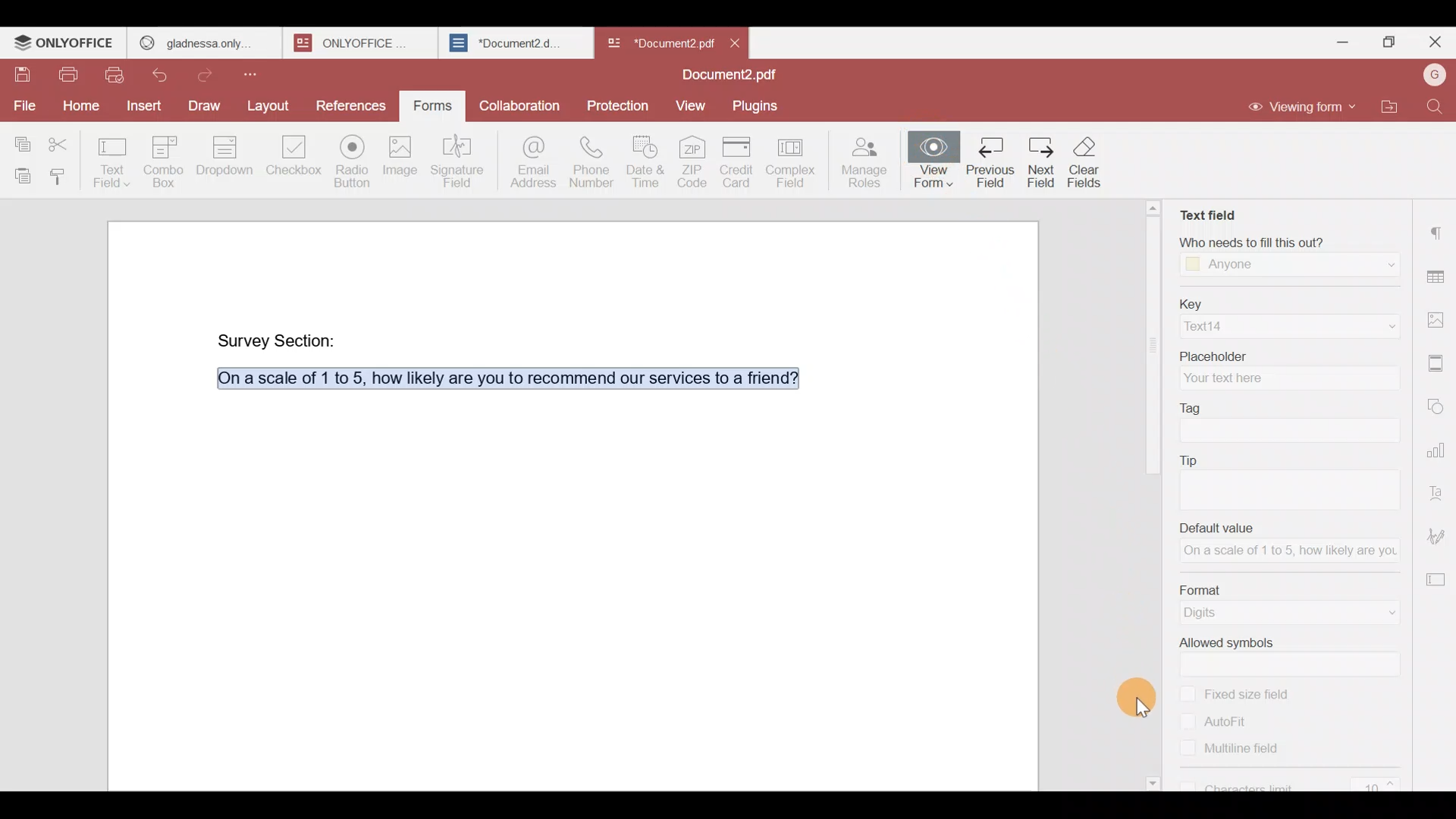 The width and height of the screenshot is (1456, 819). Describe the element at coordinates (210, 73) in the screenshot. I see `Redo` at that location.